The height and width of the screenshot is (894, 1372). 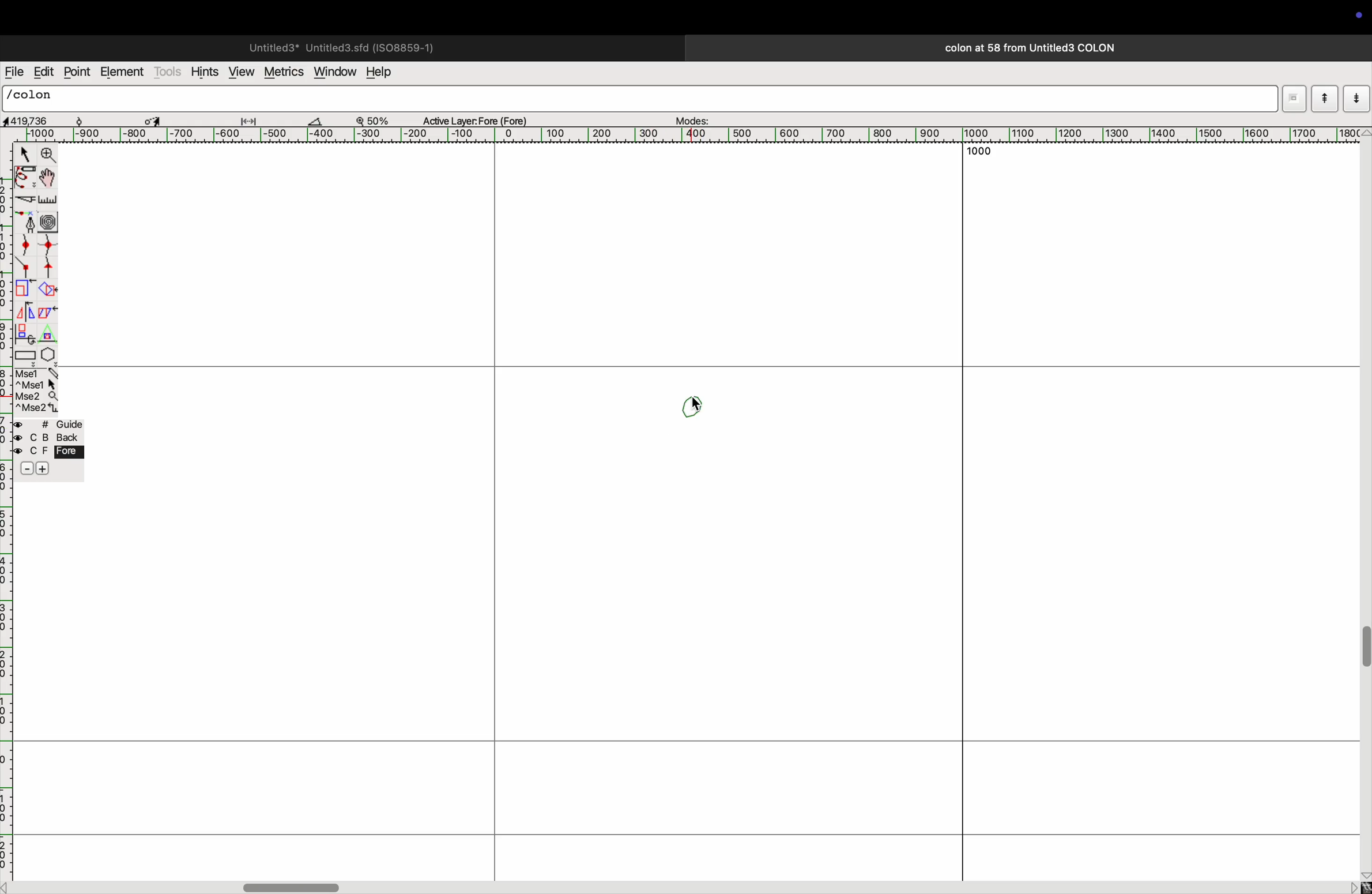 I want to click on copy, so click(x=50, y=314).